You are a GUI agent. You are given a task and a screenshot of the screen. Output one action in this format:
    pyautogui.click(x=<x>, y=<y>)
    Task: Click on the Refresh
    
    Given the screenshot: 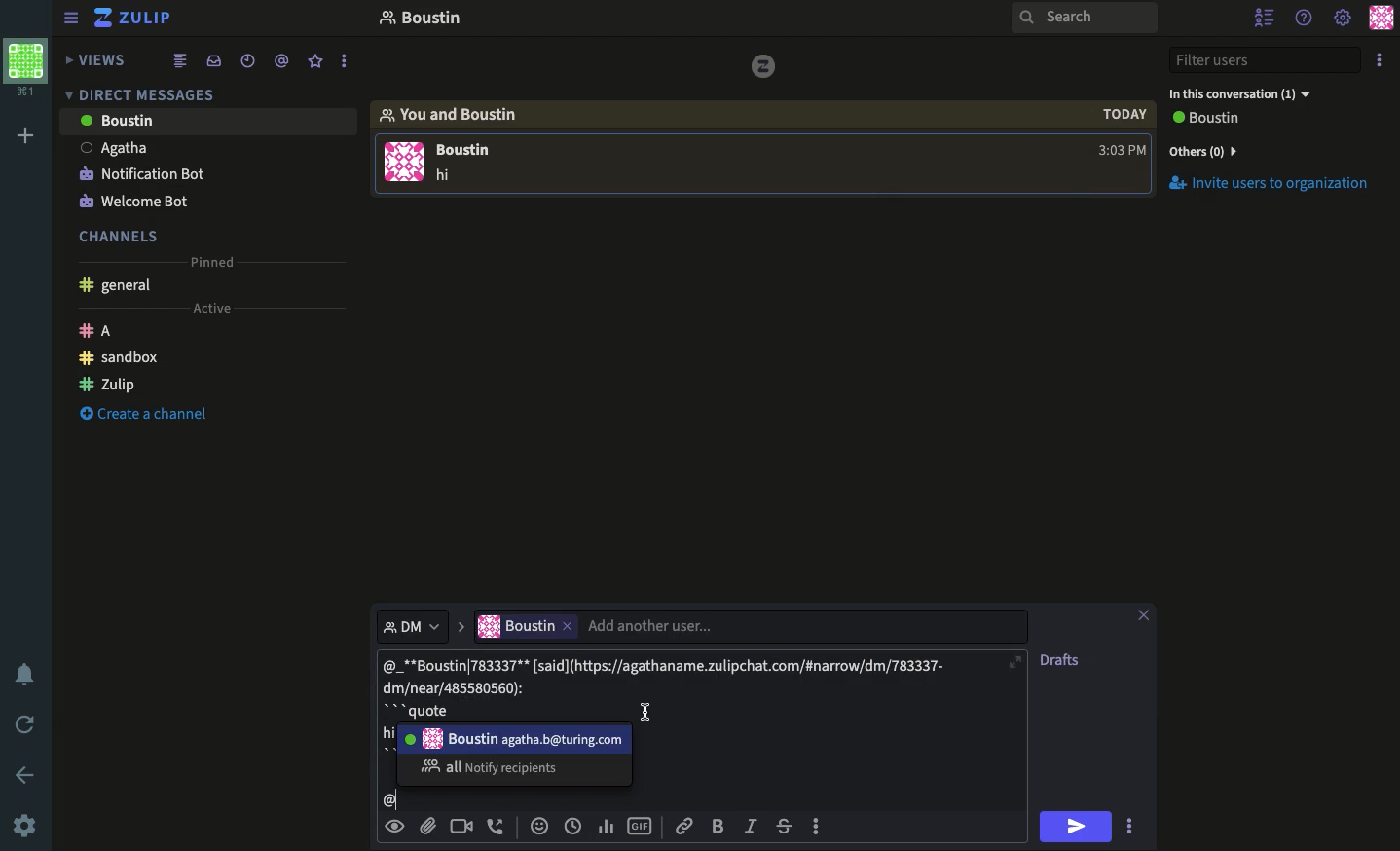 What is the action you would take?
    pyautogui.click(x=27, y=726)
    